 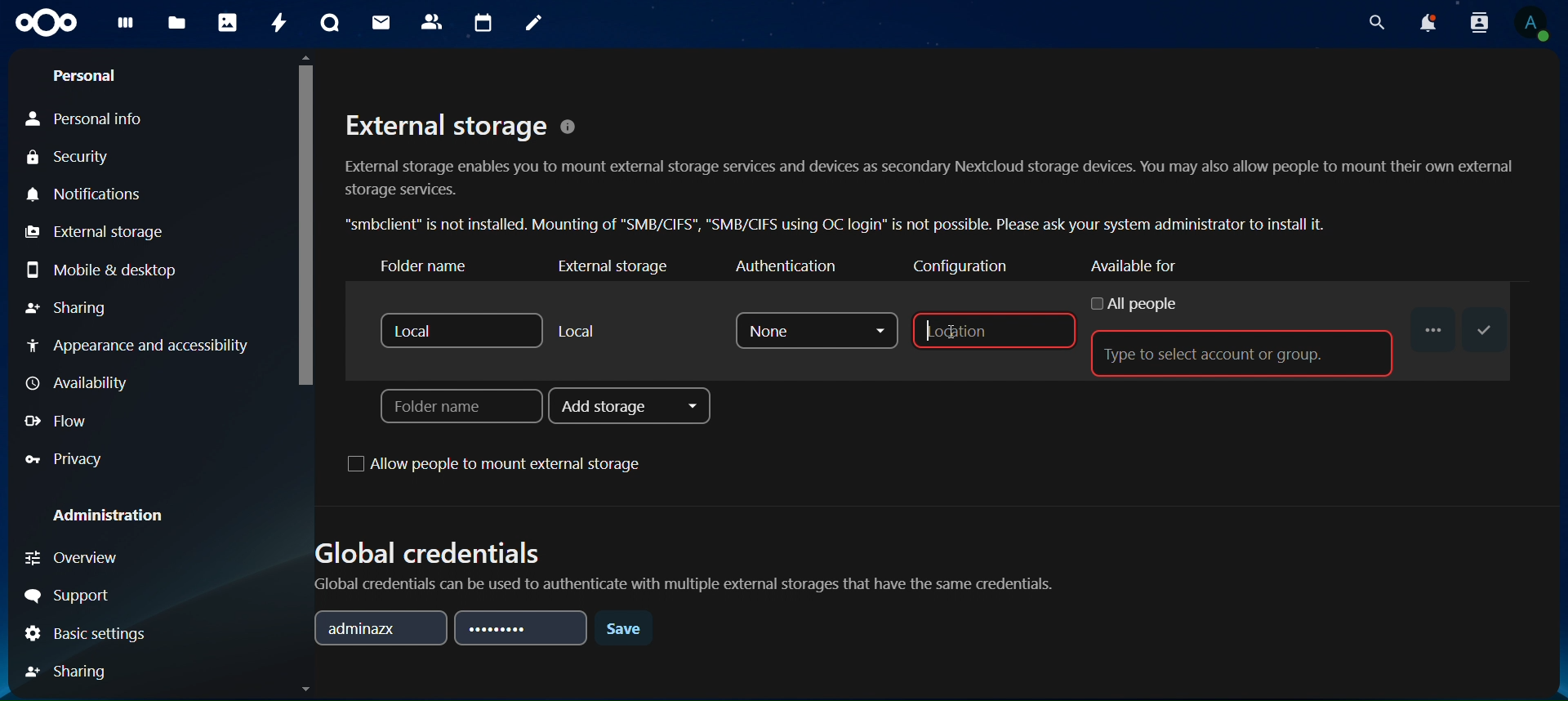 I want to click on overview, so click(x=78, y=560).